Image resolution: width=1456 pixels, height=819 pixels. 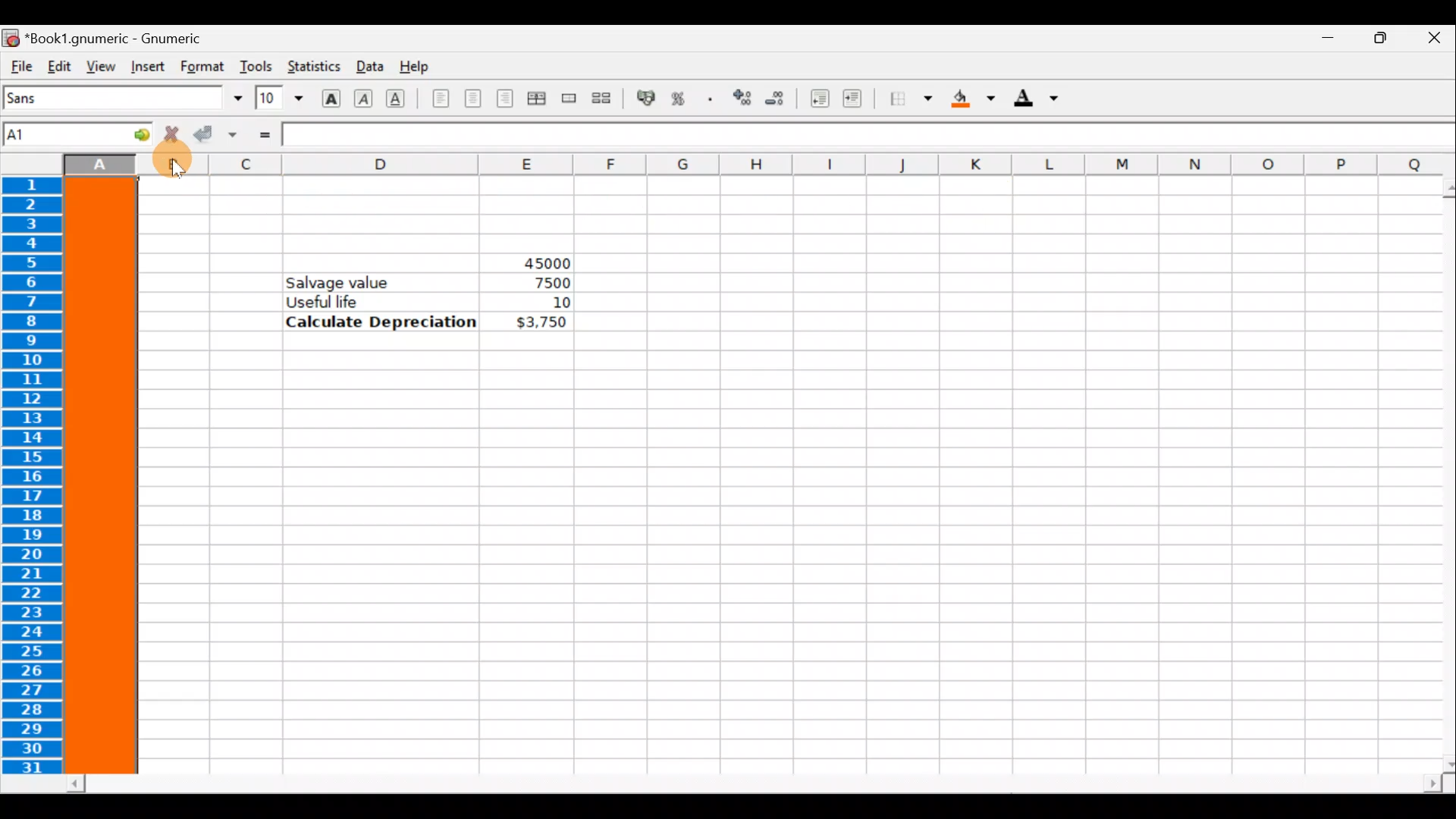 I want to click on Enter formula, so click(x=264, y=134).